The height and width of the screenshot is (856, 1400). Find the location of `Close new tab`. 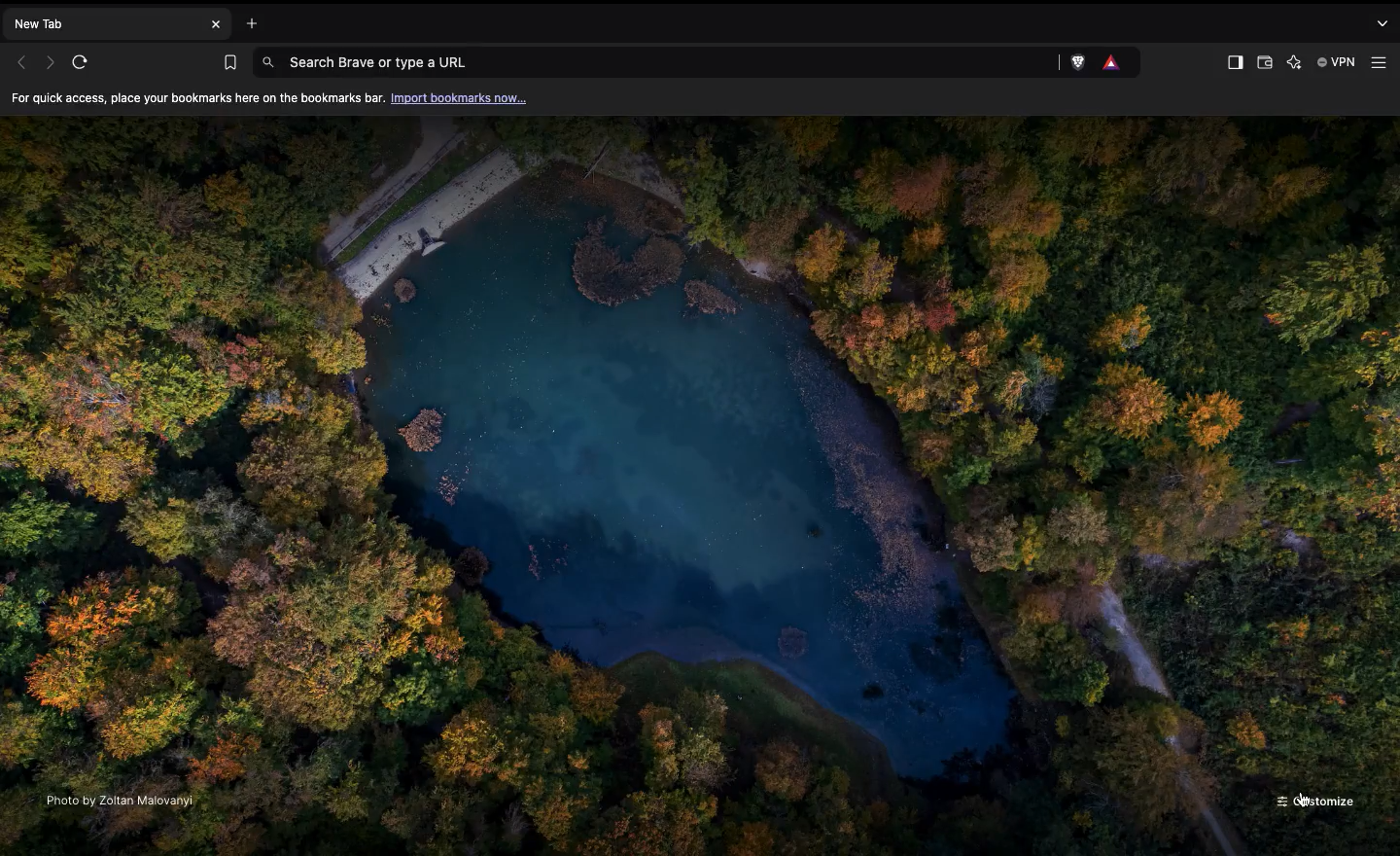

Close new tab is located at coordinates (217, 25).